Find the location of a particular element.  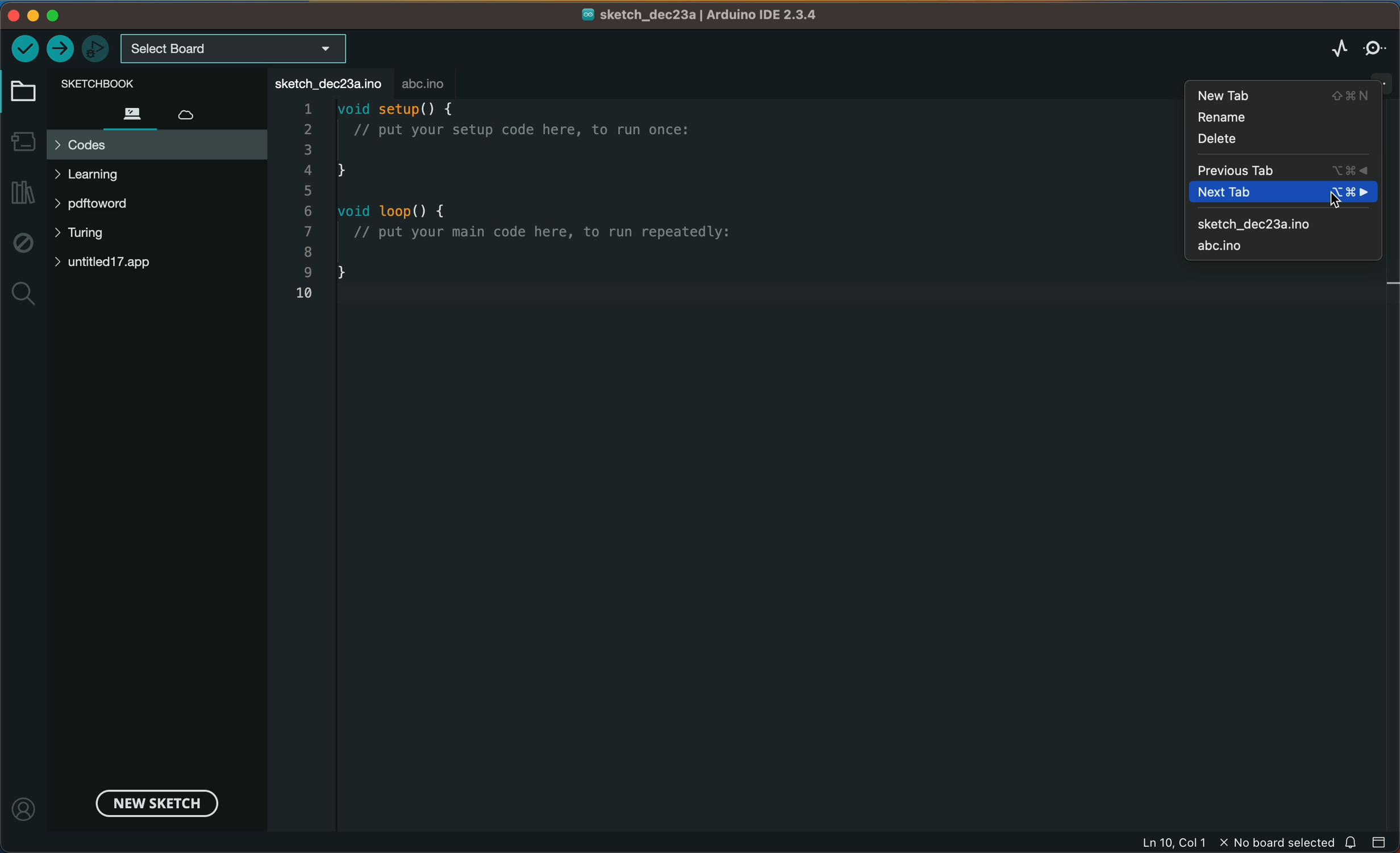

abc is located at coordinates (426, 80).